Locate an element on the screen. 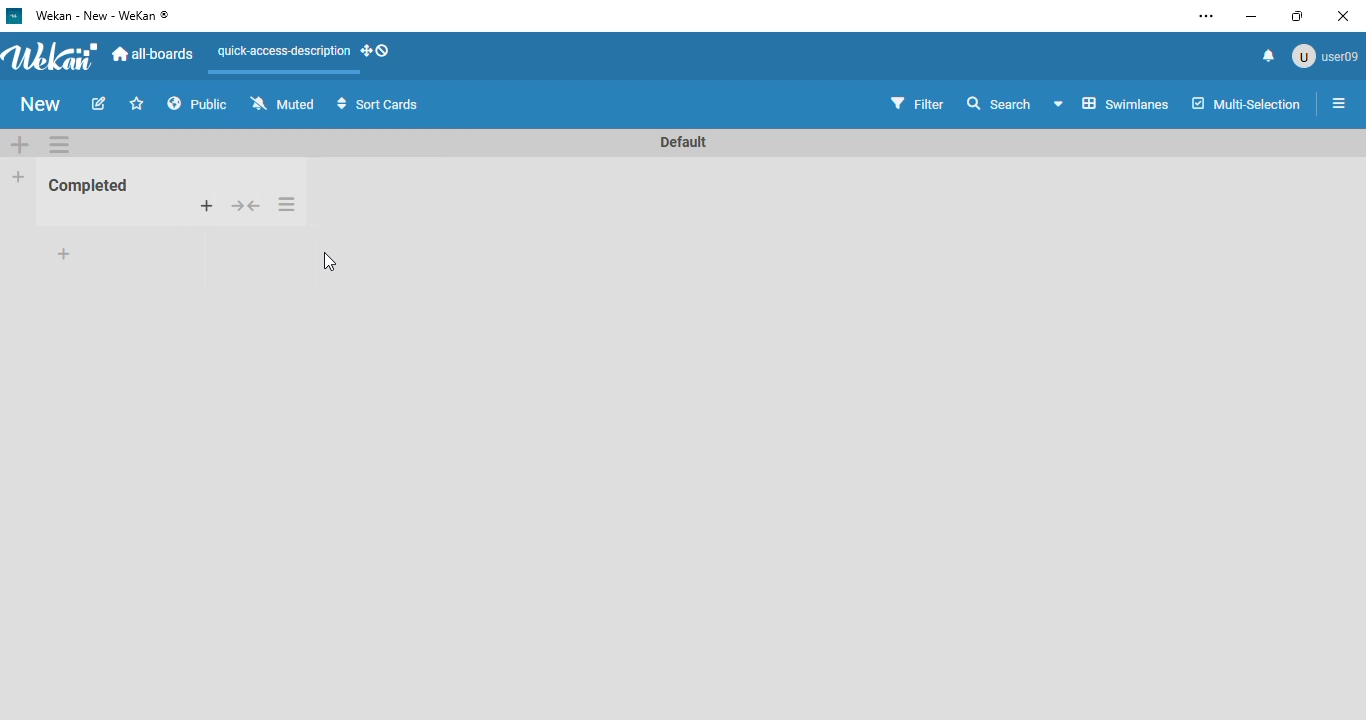 This screenshot has height=720, width=1366. Default is located at coordinates (683, 141).